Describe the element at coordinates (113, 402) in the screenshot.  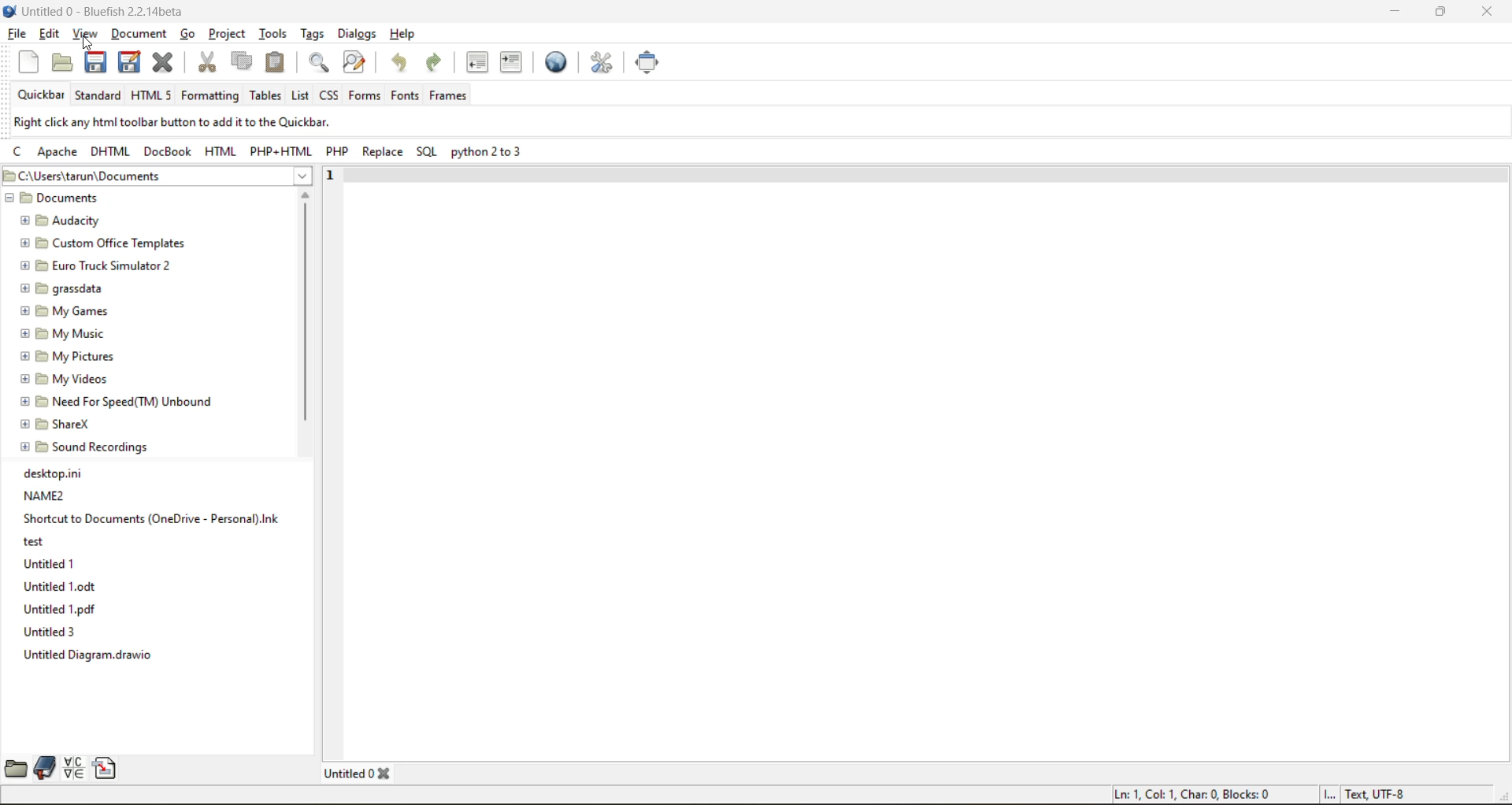
I see `Need For Speed(TM) Unbound` at that location.